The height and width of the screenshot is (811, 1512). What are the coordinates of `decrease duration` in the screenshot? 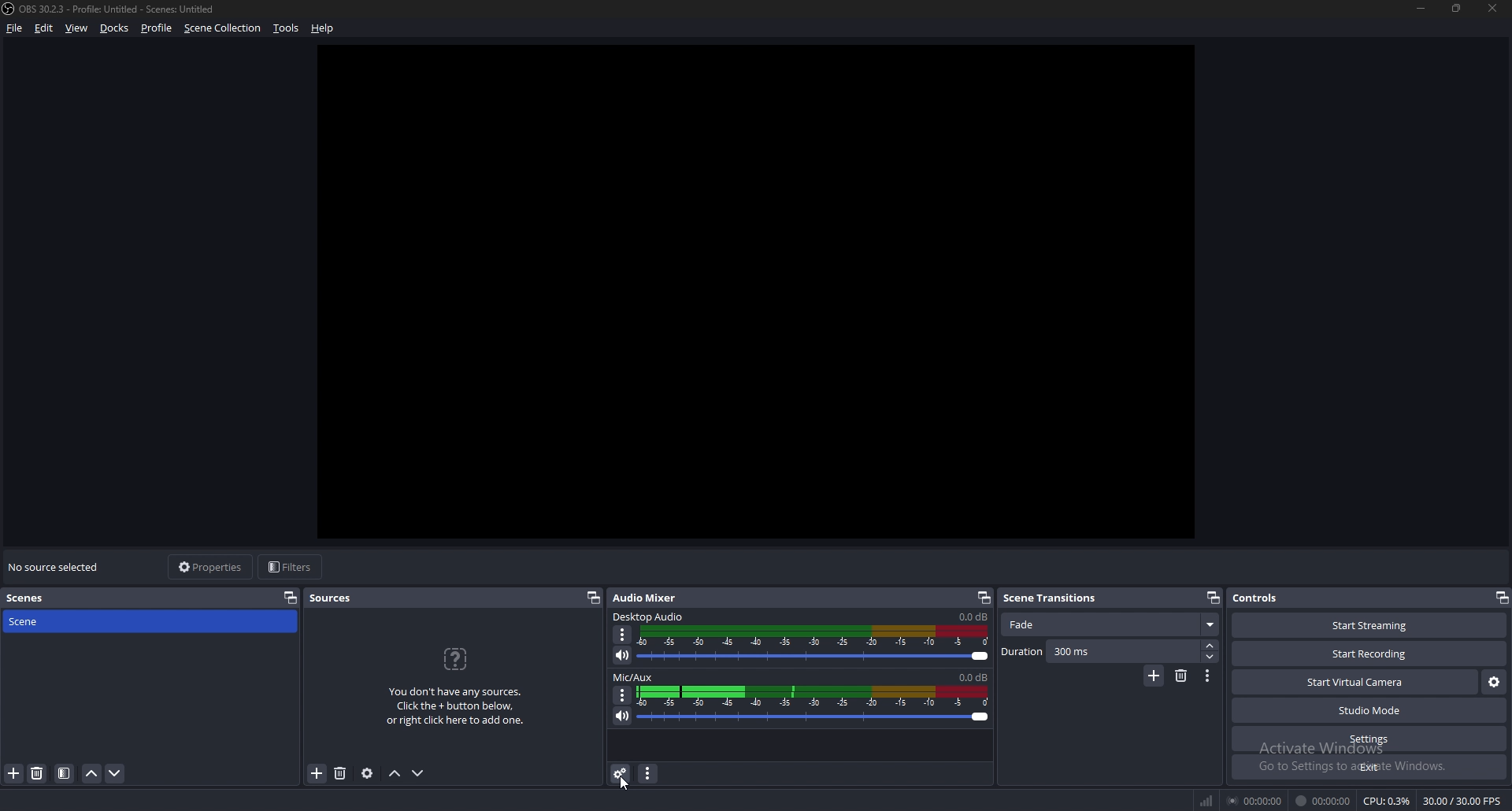 It's located at (1209, 657).